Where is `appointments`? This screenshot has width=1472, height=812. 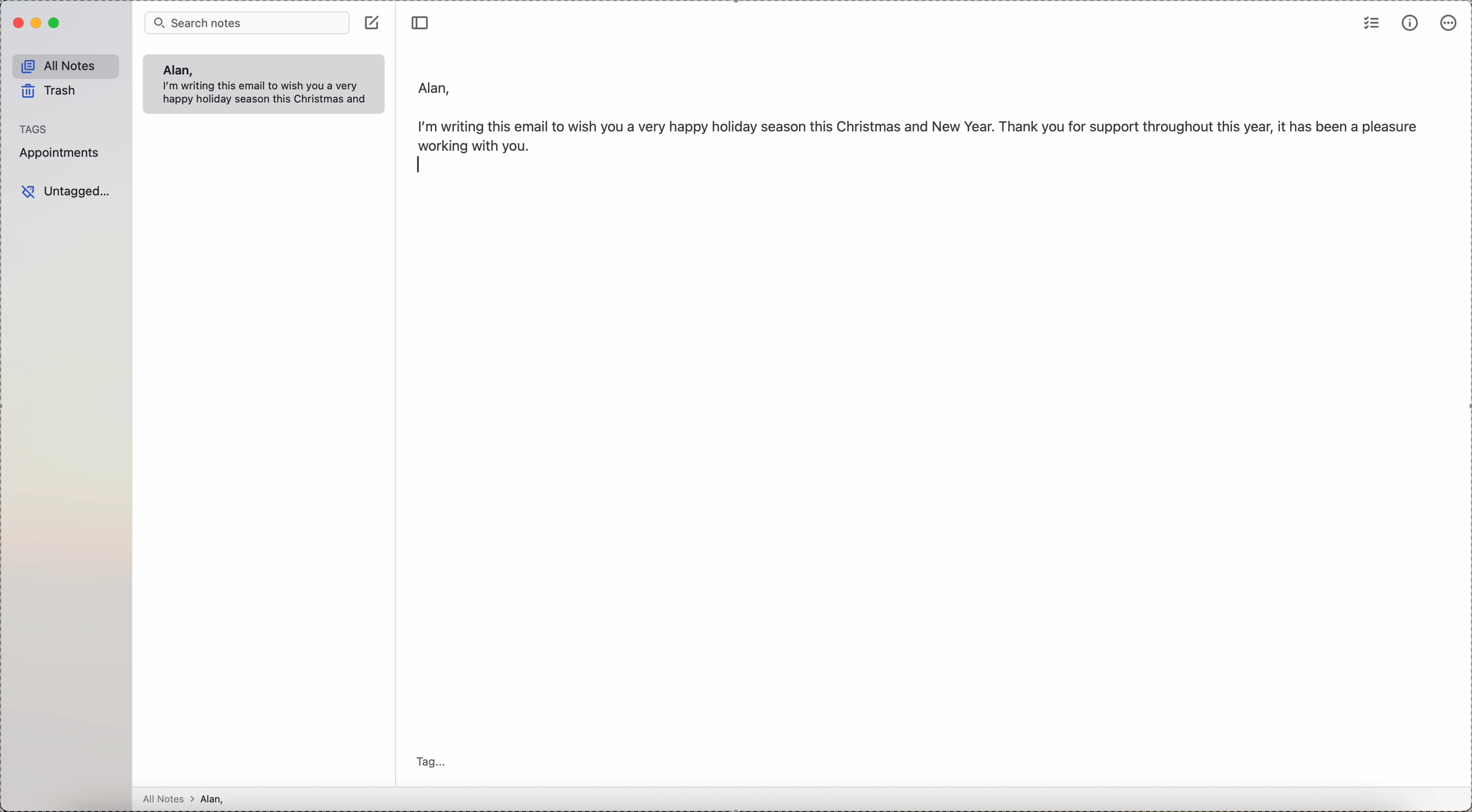
appointments is located at coordinates (62, 153).